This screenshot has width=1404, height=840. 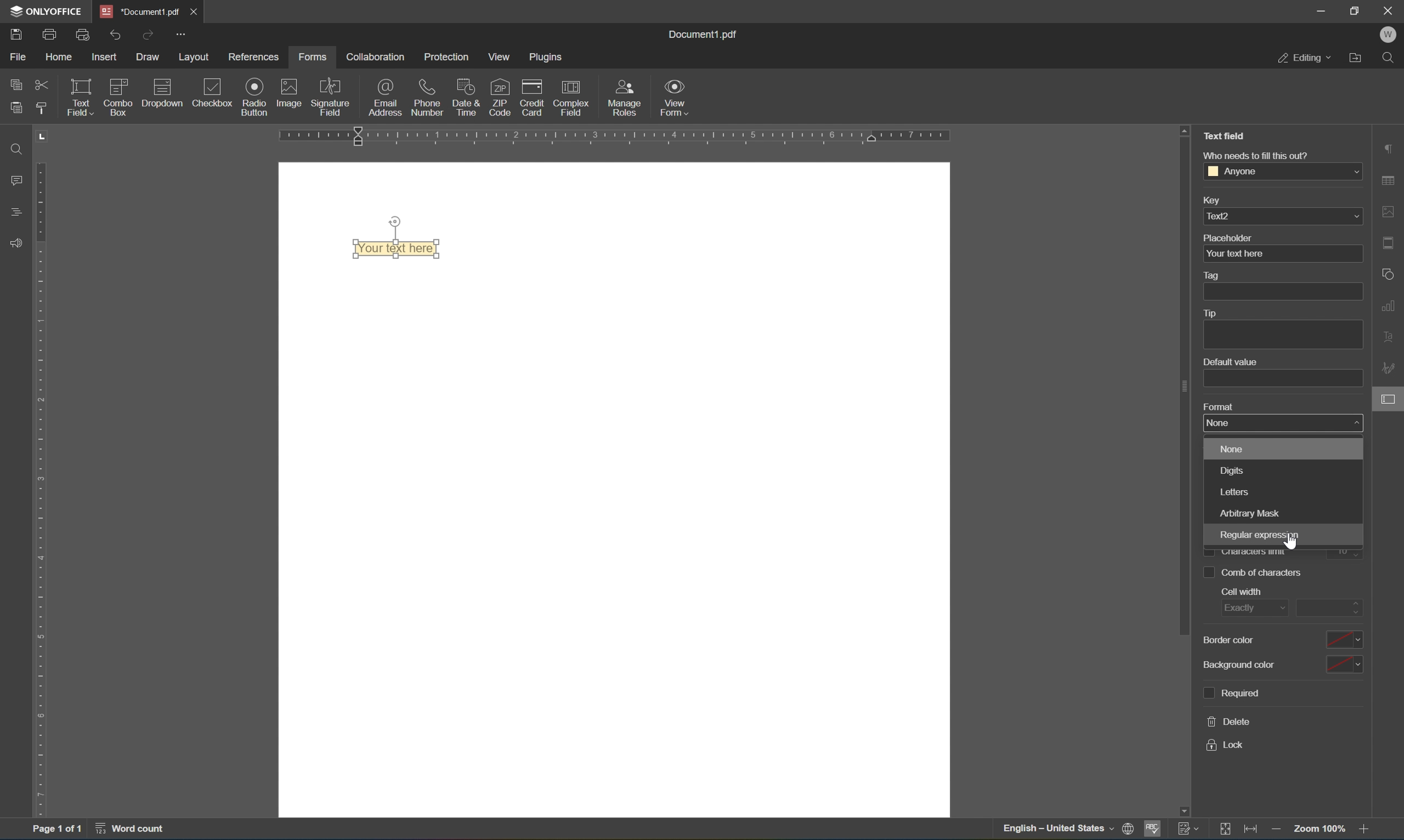 What do you see at coordinates (1211, 312) in the screenshot?
I see `tip` at bounding box center [1211, 312].